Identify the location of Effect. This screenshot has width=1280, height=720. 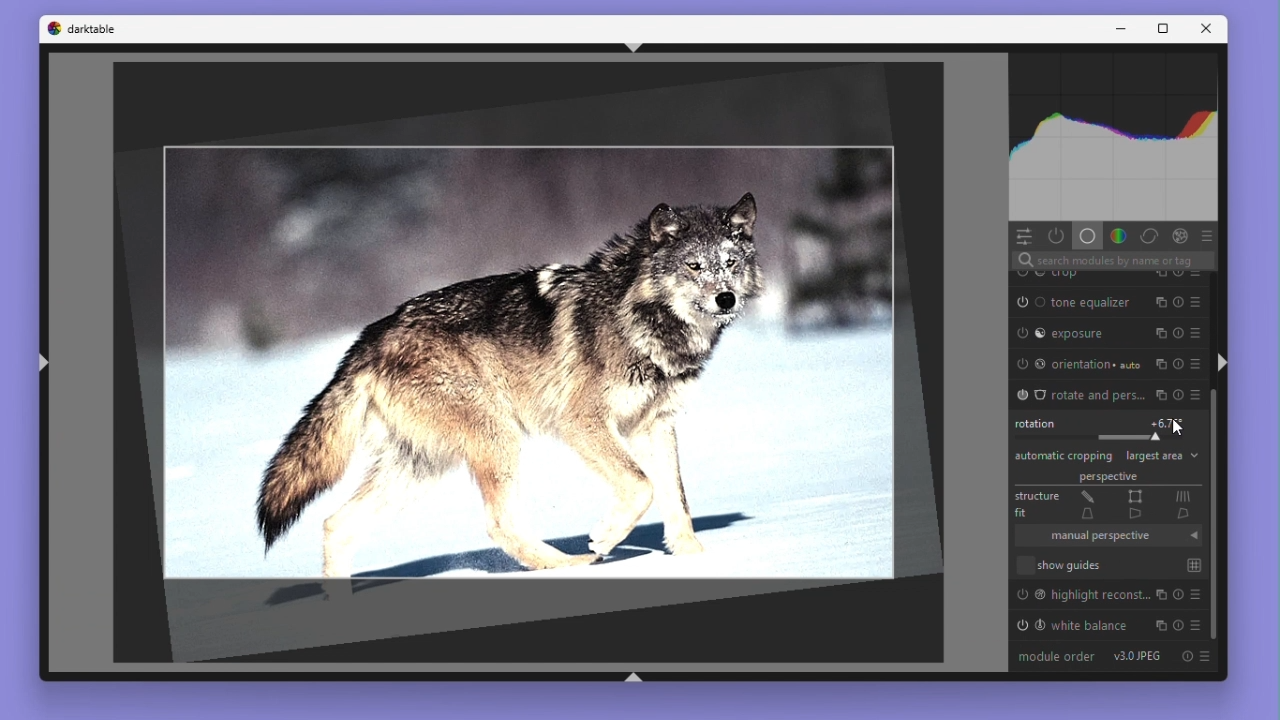
(1186, 234).